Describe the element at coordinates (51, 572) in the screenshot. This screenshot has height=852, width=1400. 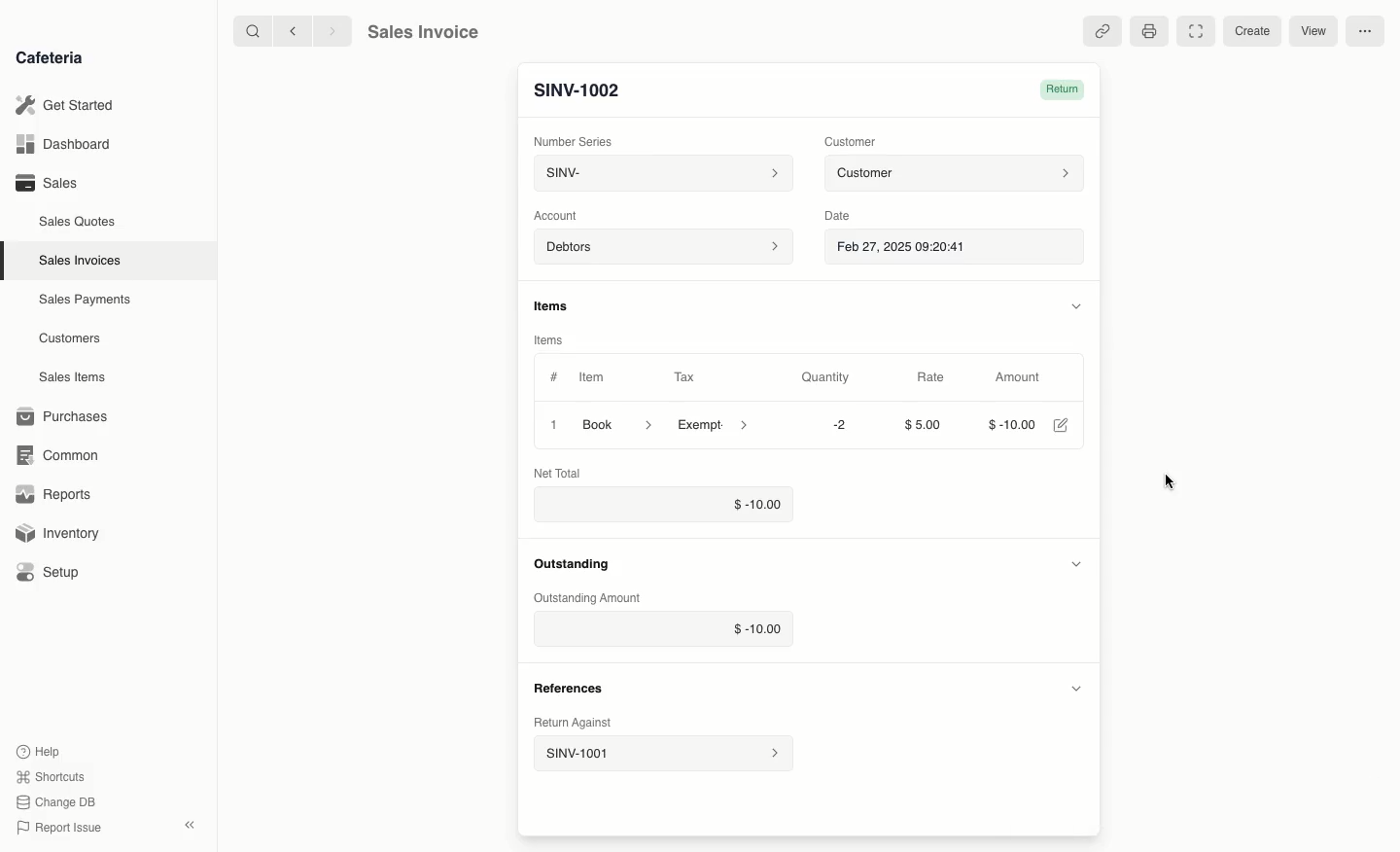
I see `Setup` at that location.